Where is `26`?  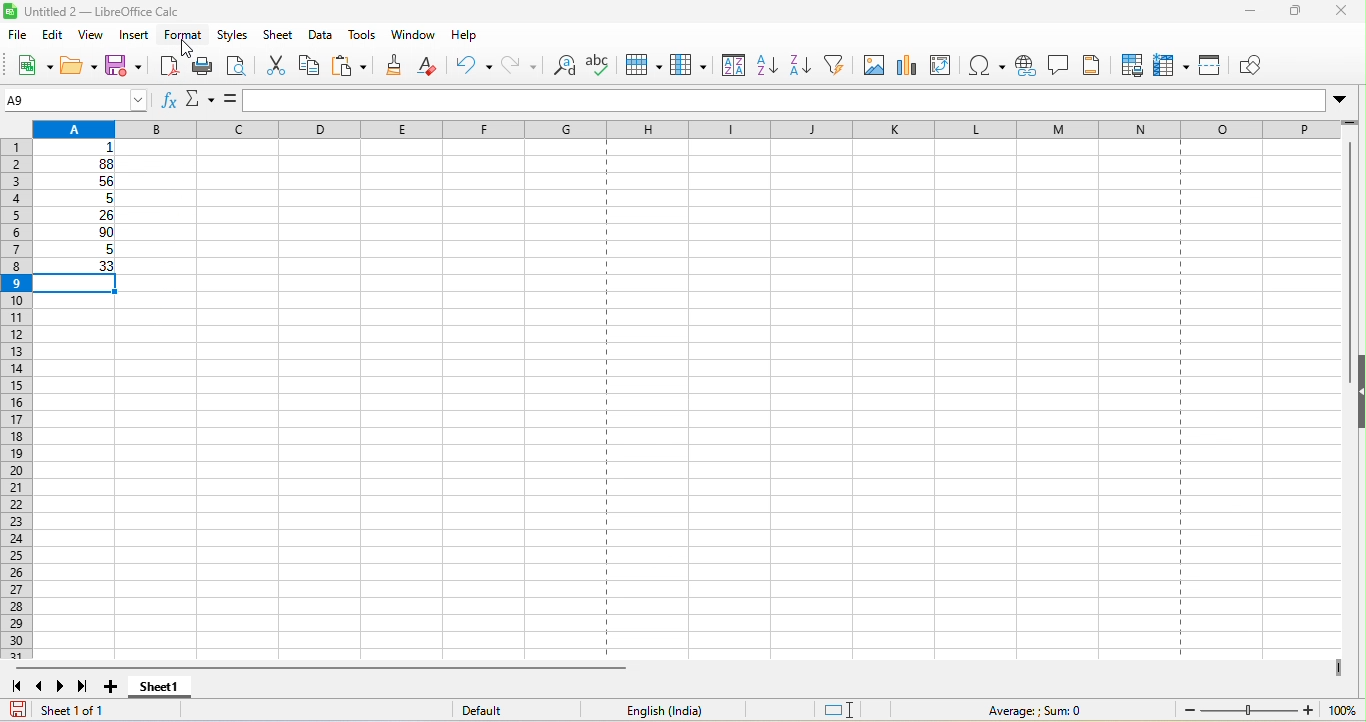
26 is located at coordinates (79, 216).